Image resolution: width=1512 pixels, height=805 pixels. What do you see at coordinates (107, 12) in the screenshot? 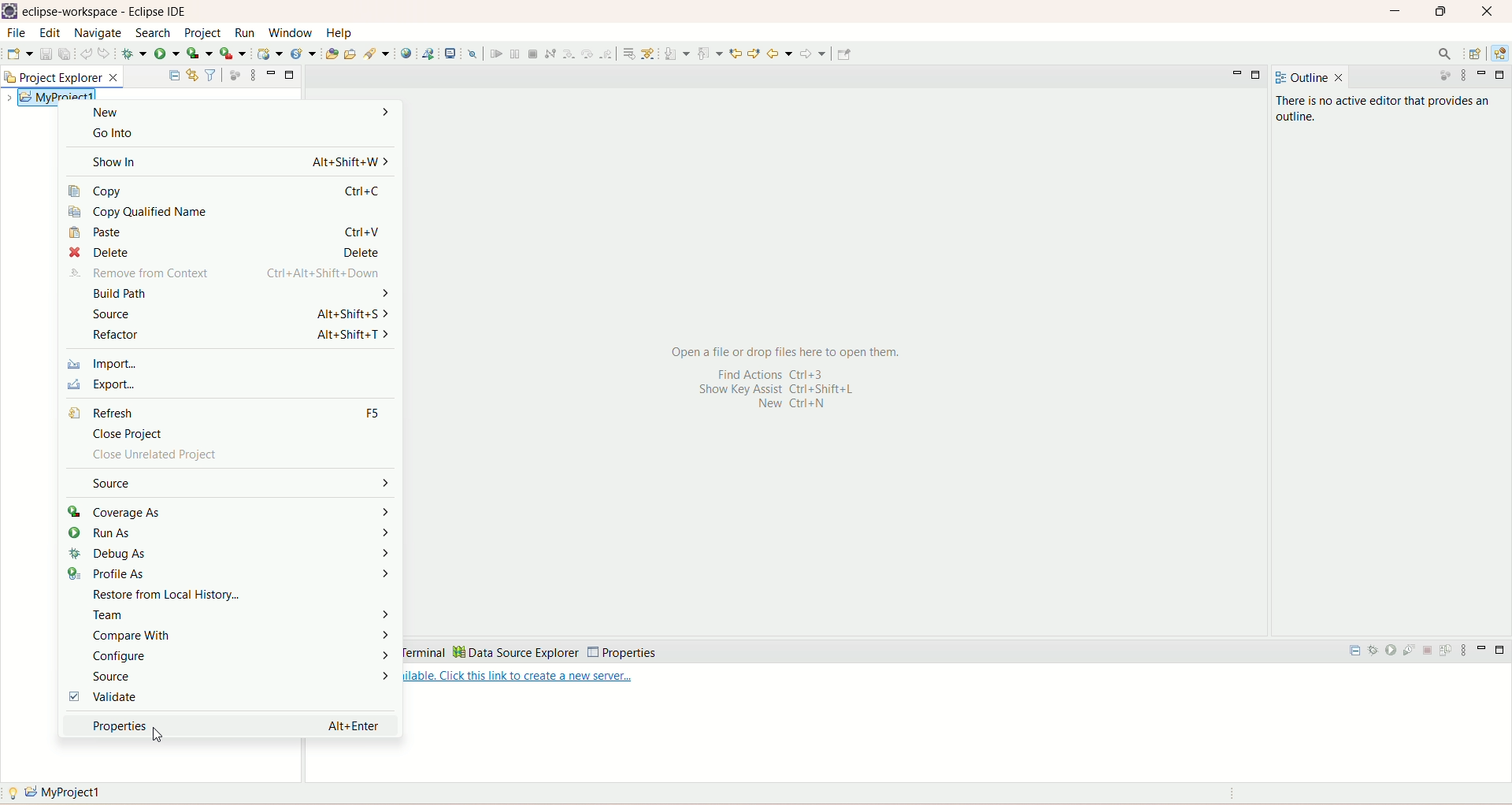
I see `eclipse-workspace-Eclipse IDE` at bounding box center [107, 12].